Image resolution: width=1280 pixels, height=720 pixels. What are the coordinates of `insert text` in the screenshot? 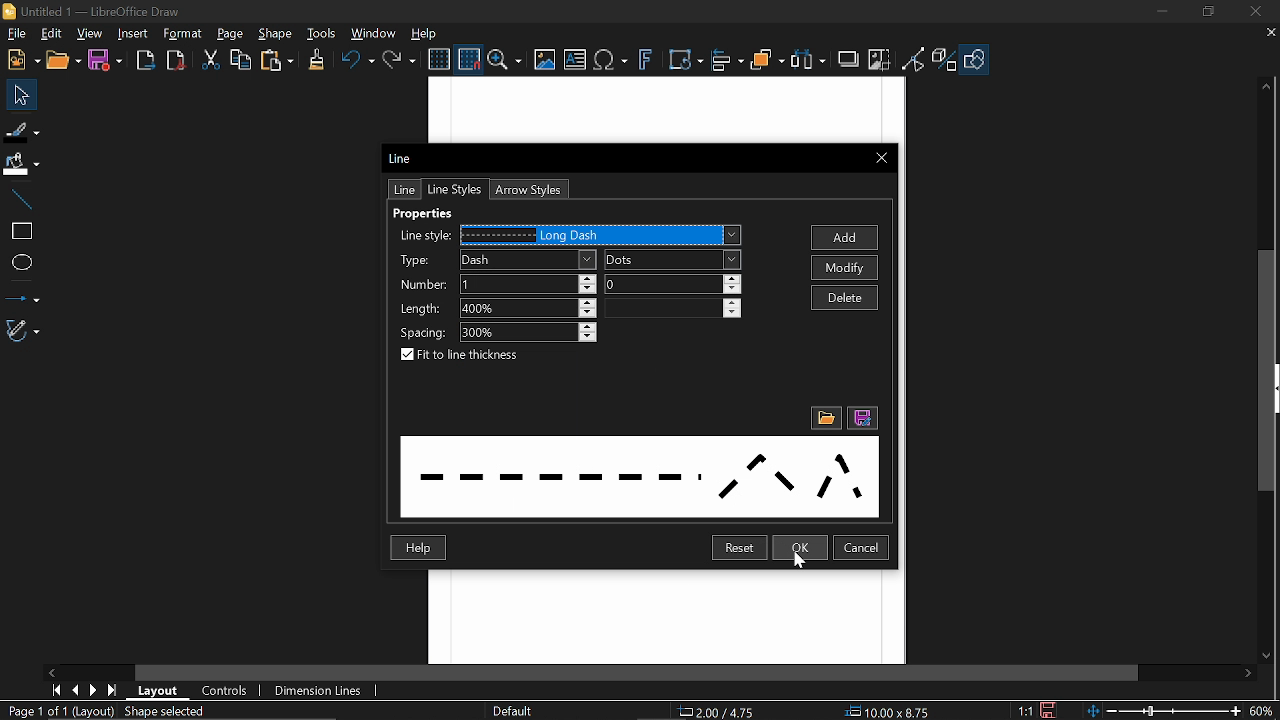 It's located at (575, 61).